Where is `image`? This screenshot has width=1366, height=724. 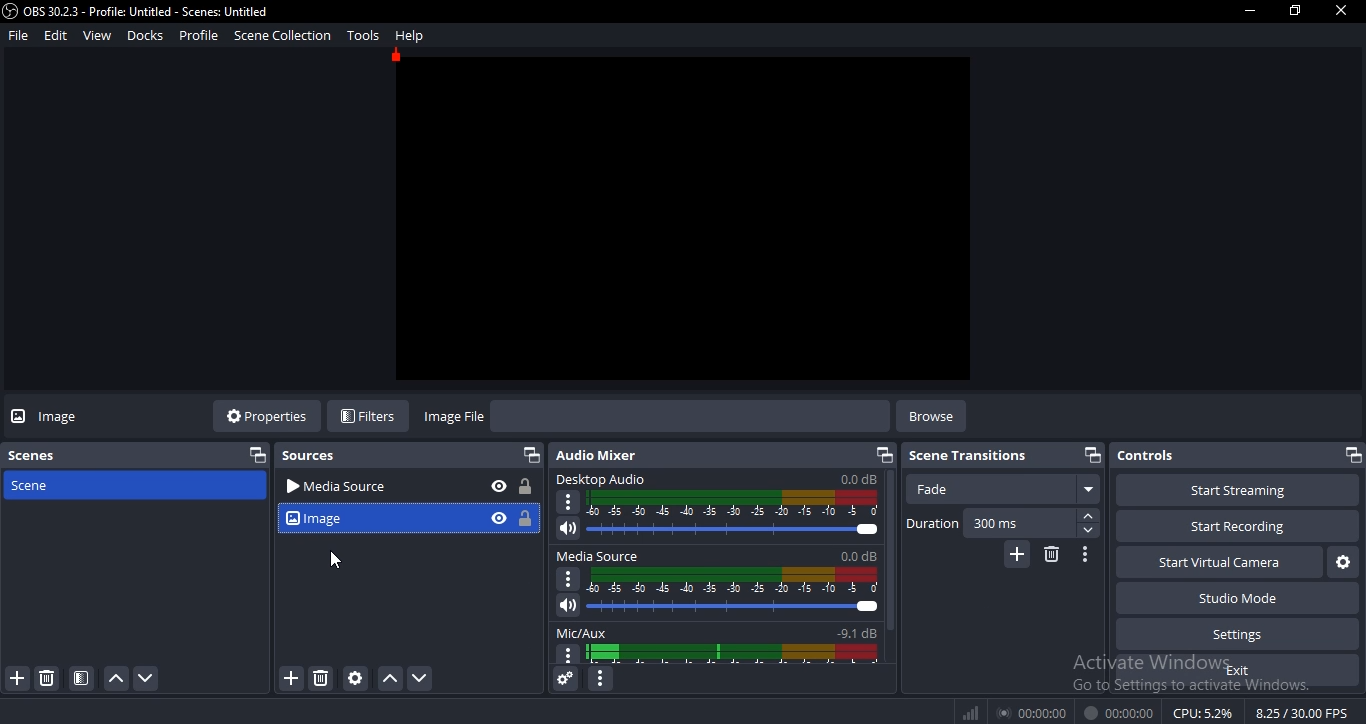
image is located at coordinates (371, 518).